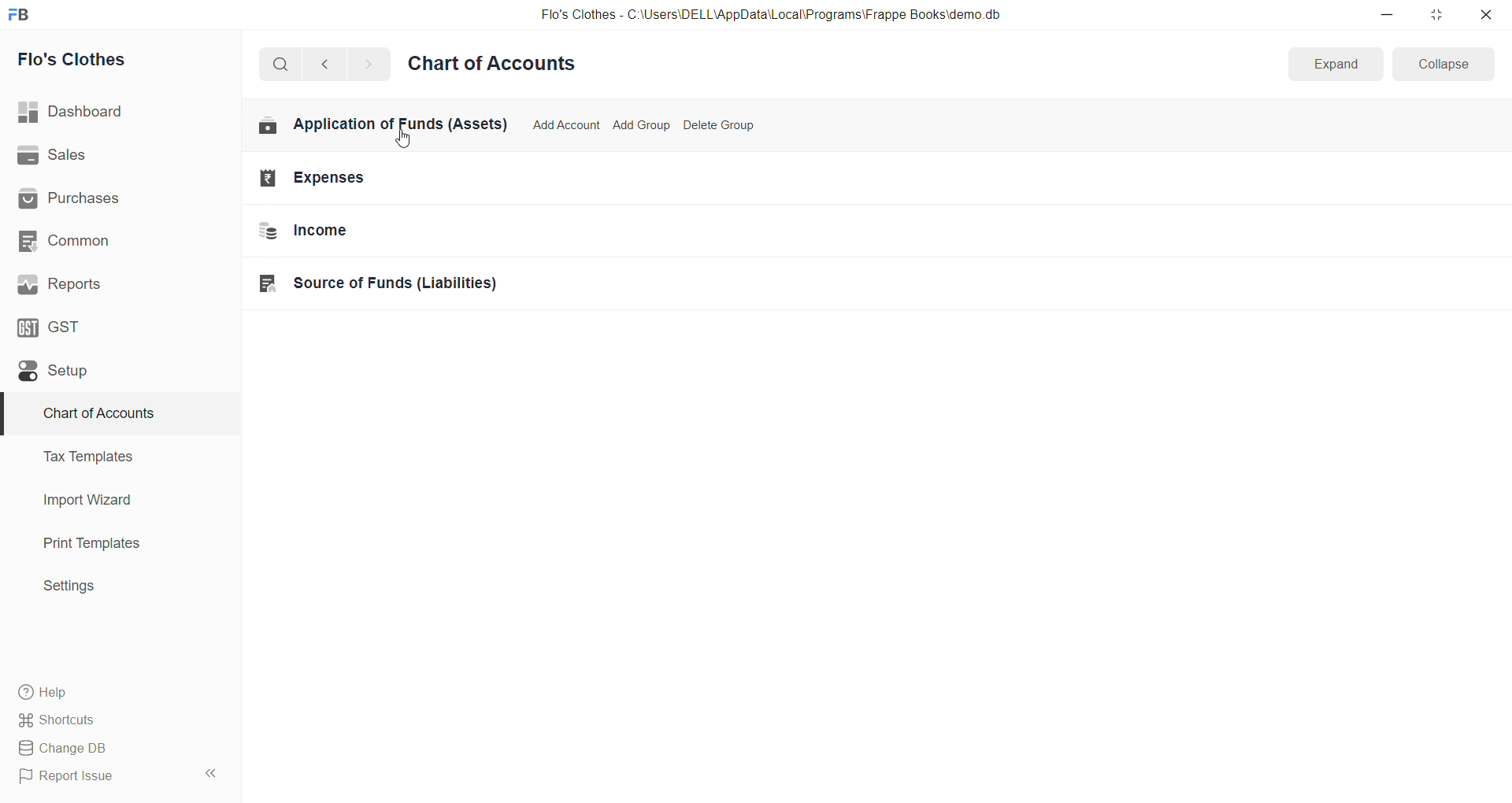 Image resolution: width=1512 pixels, height=803 pixels. I want to click on navigate forward, so click(368, 63).